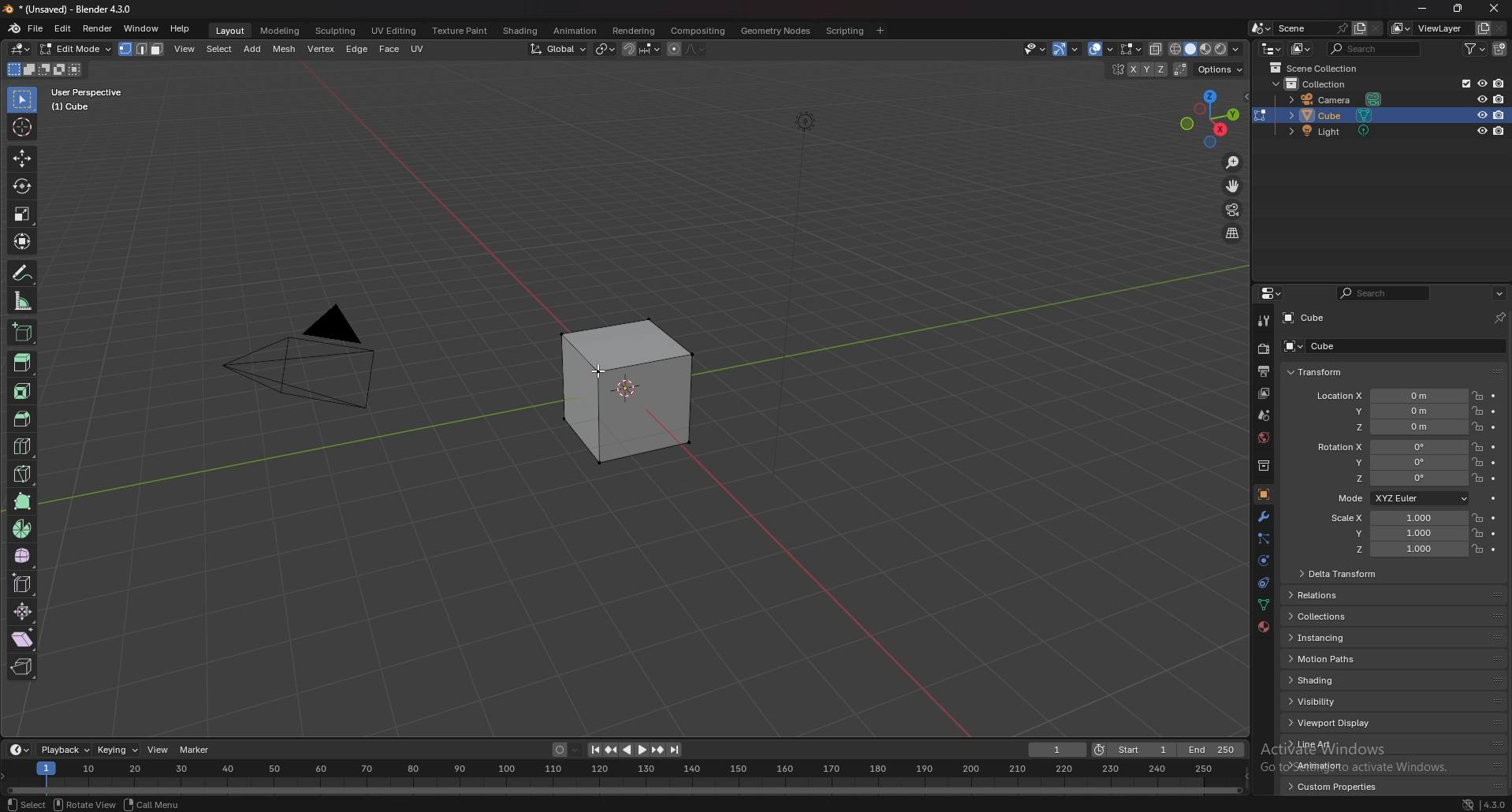  Describe the element at coordinates (1484, 28) in the screenshot. I see `add view layer` at that location.